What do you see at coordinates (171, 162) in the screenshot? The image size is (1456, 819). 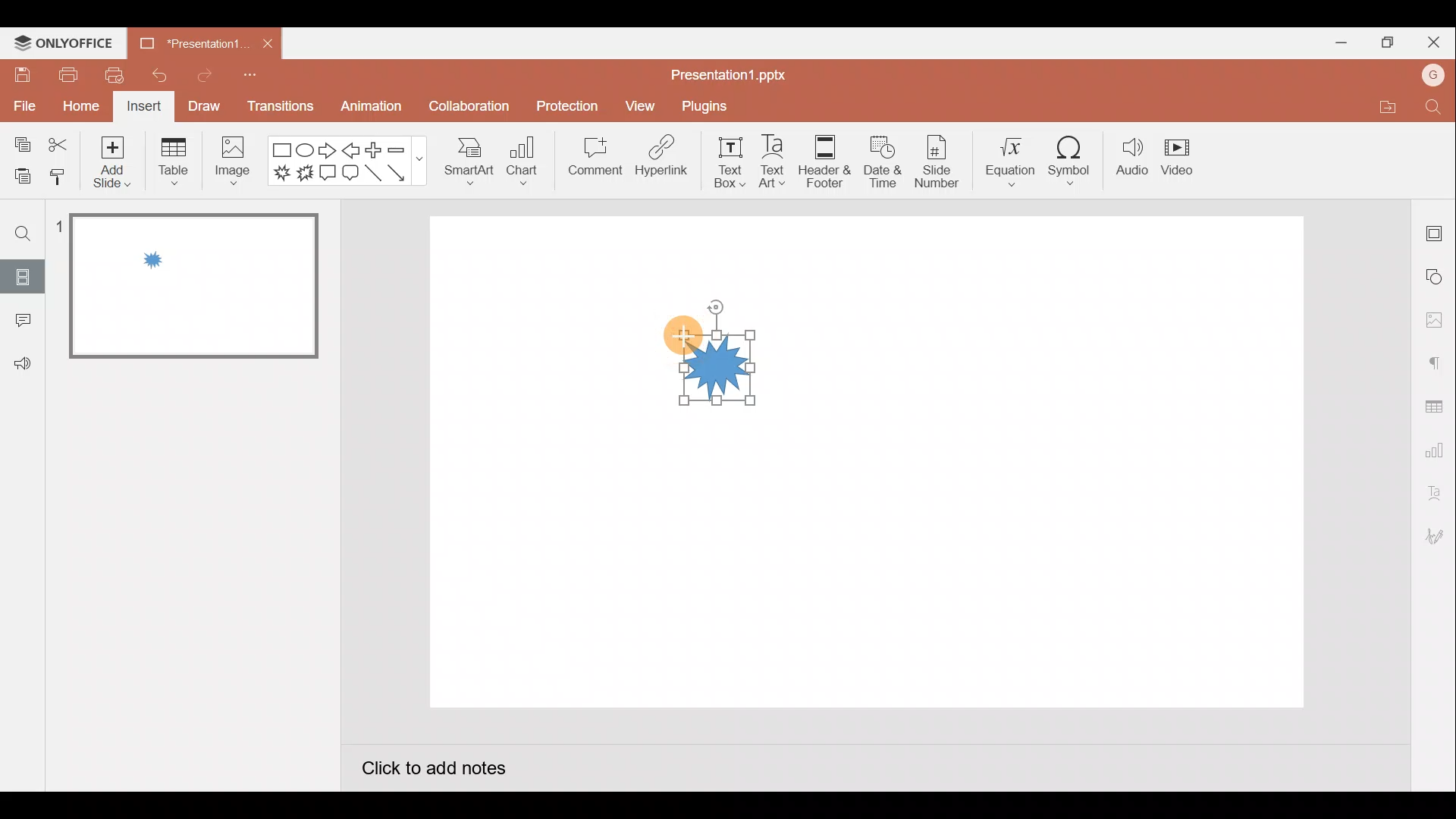 I see `Table` at bounding box center [171, 162].